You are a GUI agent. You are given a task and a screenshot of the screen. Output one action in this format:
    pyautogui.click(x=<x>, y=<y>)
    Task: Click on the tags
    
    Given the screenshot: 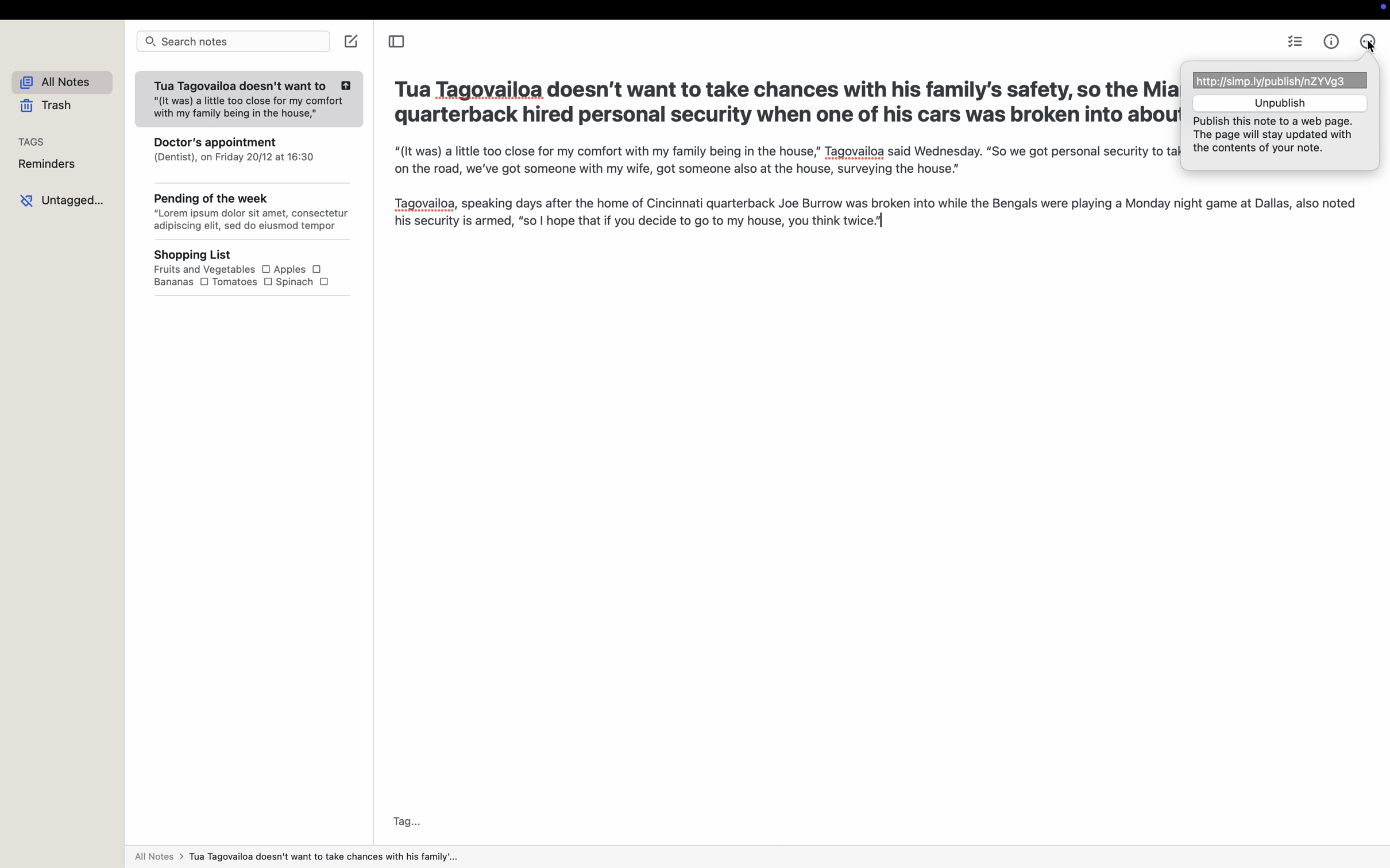 What is the action you would take?
    pyautogui.click(x=33, y=141)
    